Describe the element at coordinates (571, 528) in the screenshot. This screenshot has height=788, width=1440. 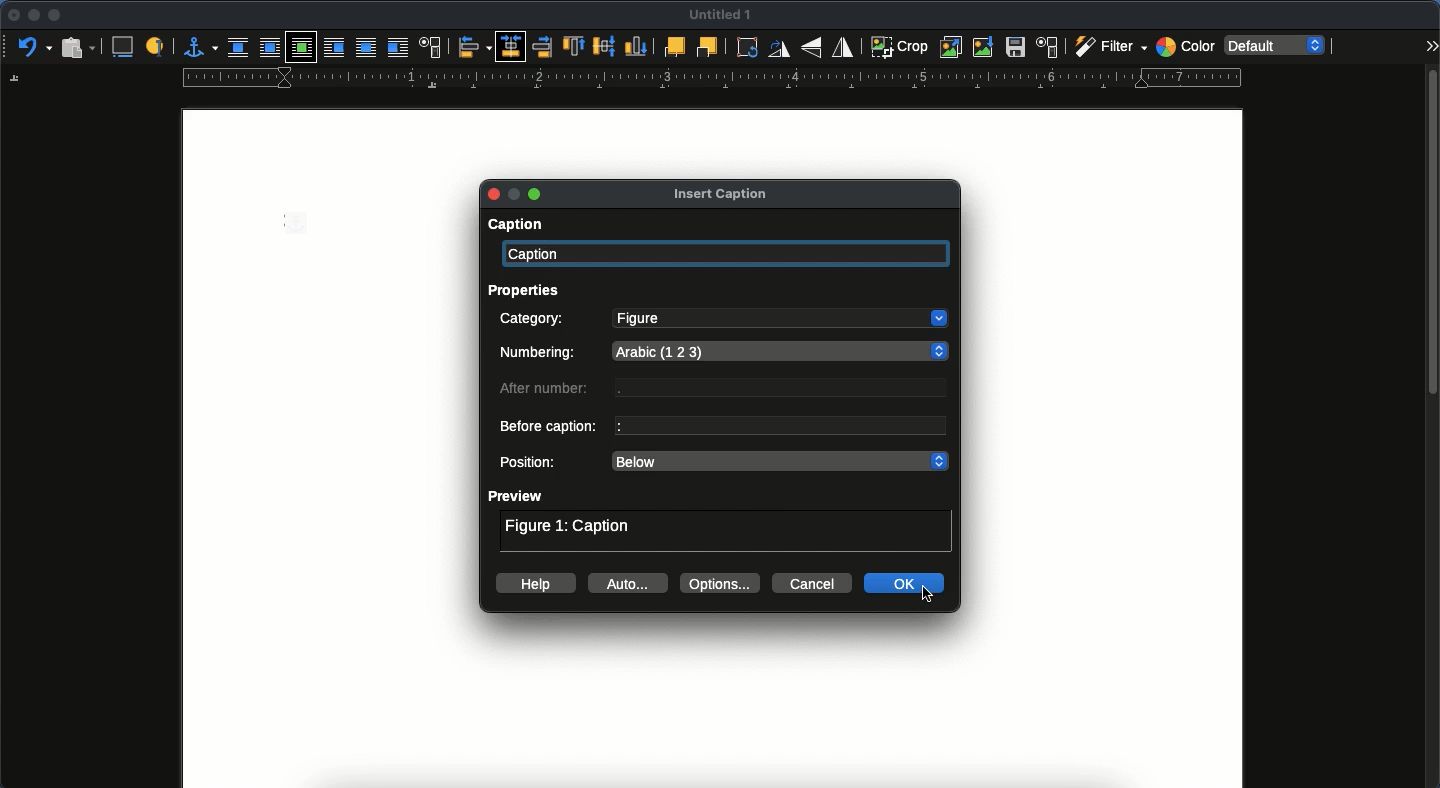
I see `figure 1: caption` at that location.